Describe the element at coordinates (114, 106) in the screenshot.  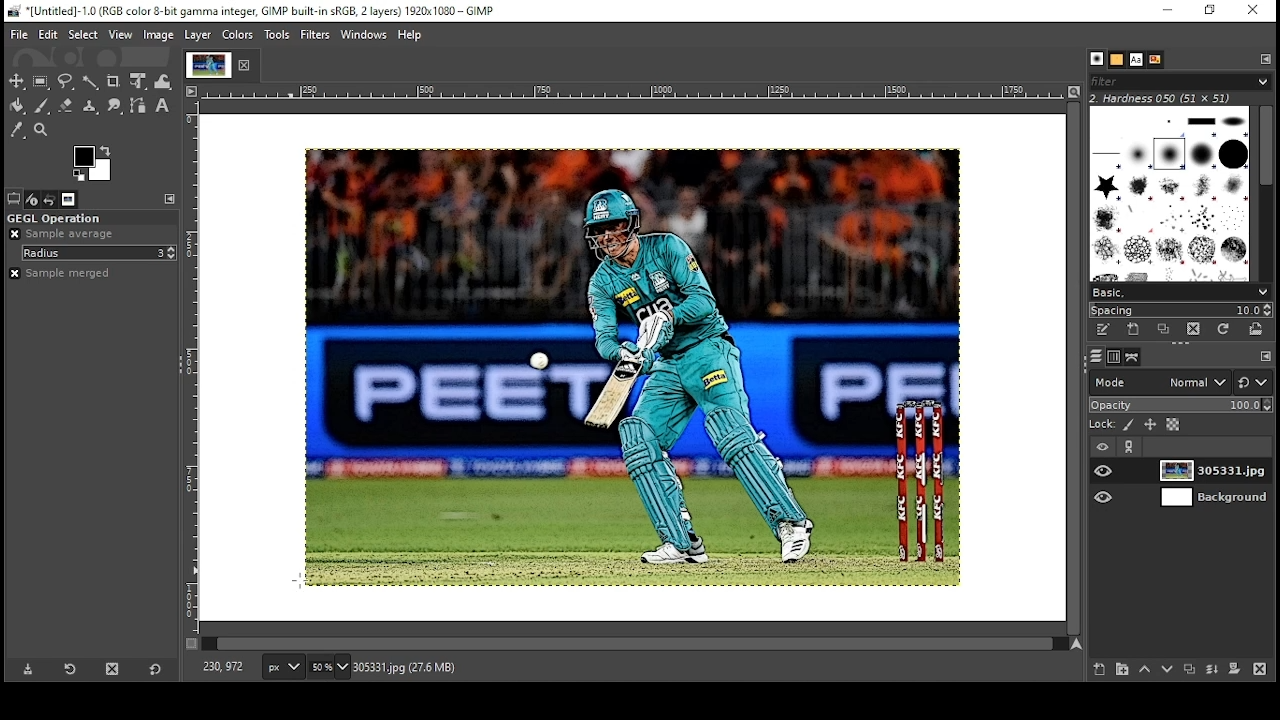
I see `smudge tool` at that location.